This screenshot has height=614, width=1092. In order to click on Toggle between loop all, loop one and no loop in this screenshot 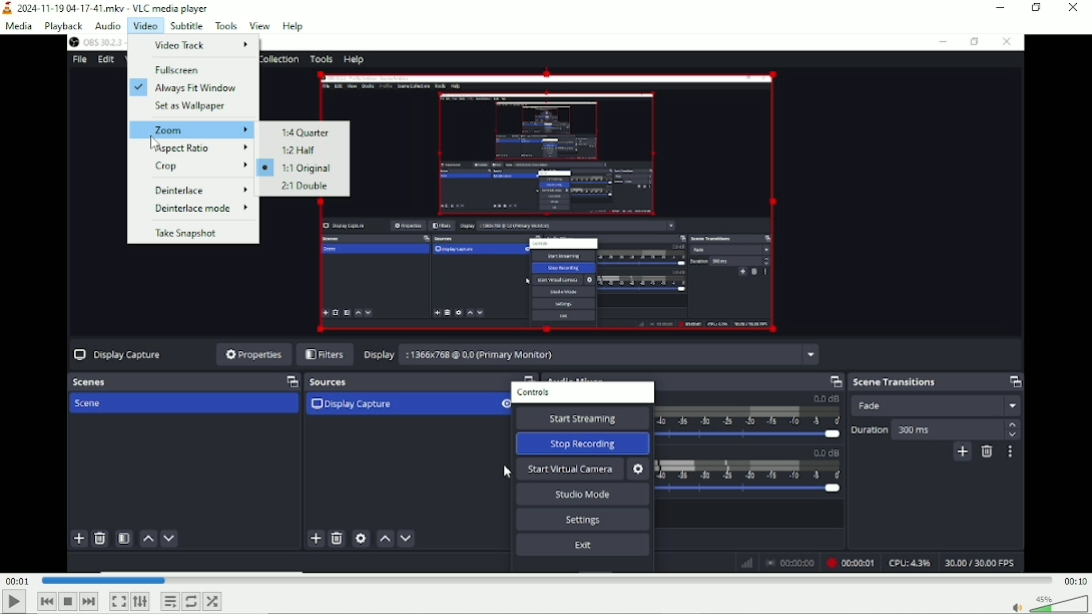, I will do `click(191, 601)`.